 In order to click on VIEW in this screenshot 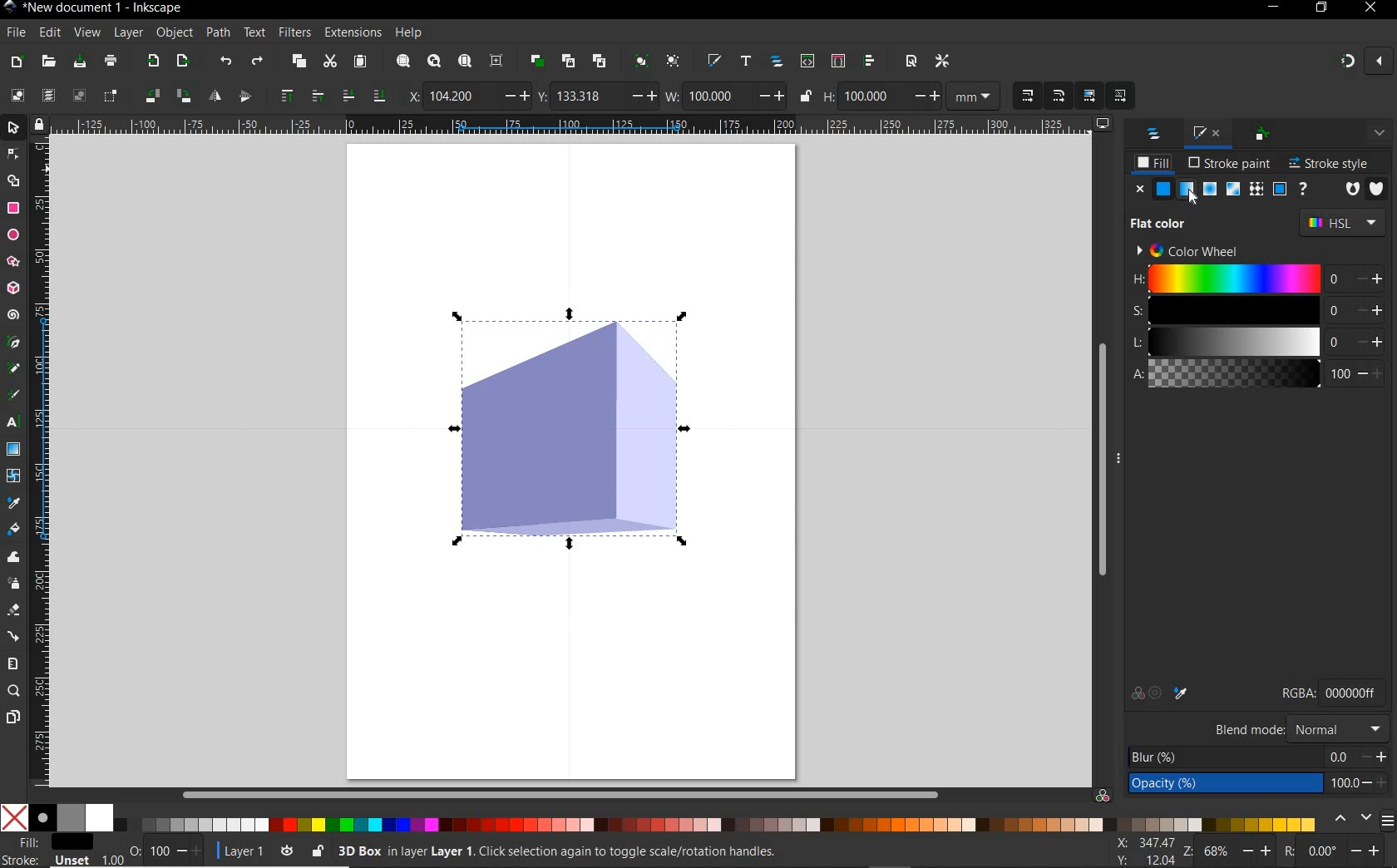, I will do `click(86, 34)`.